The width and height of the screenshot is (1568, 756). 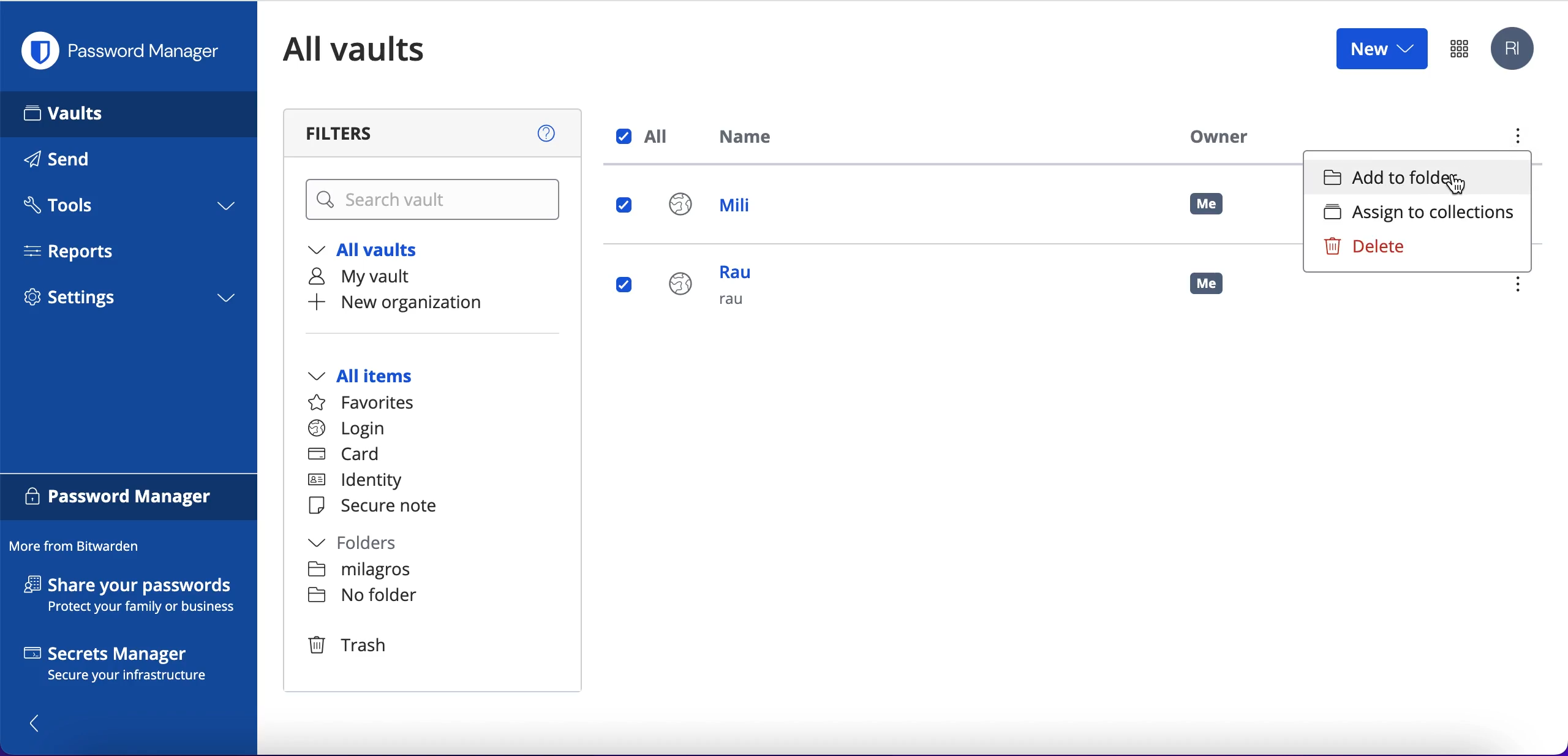 I want to click on new, so click(x=1381, y=48).